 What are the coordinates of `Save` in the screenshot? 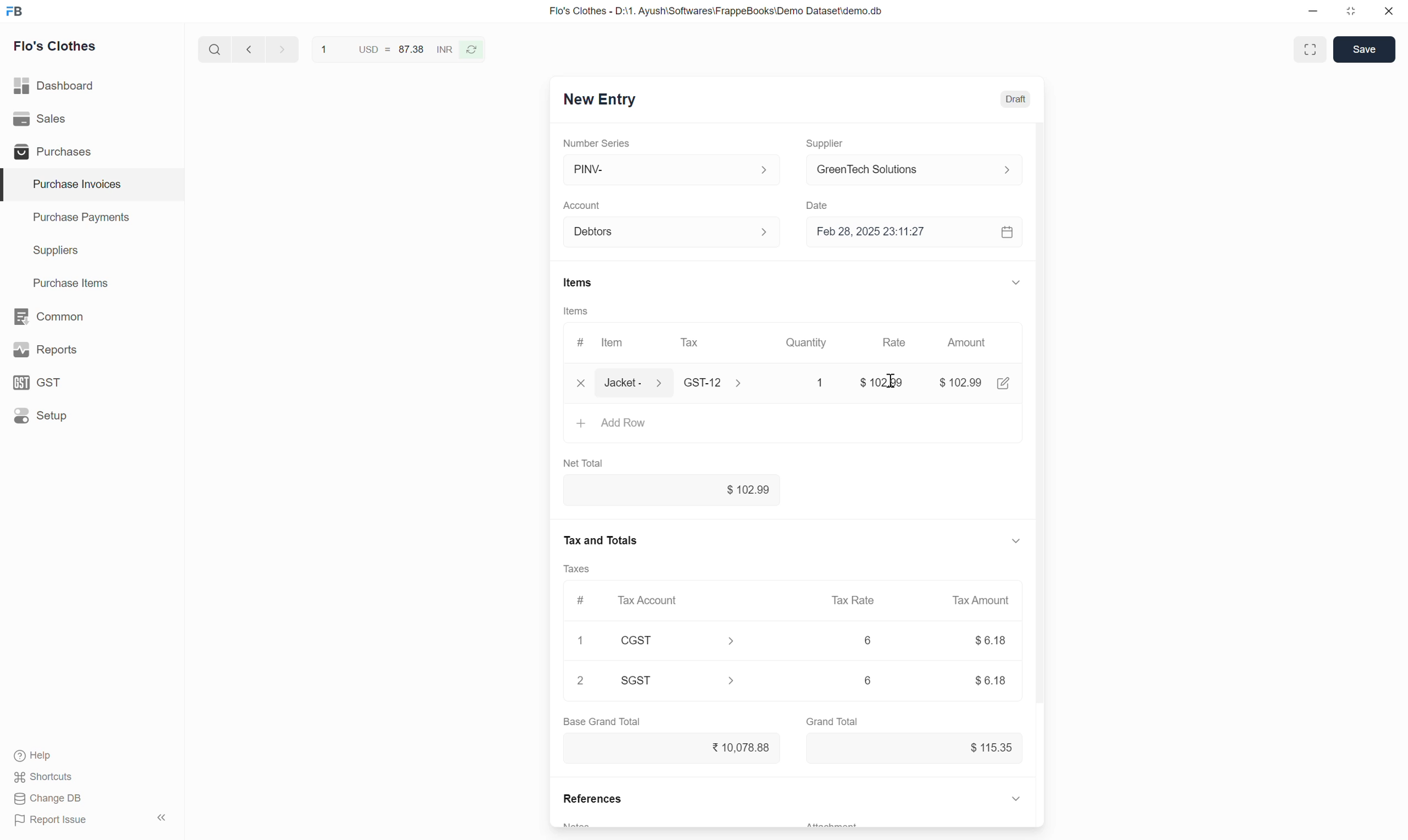 It's located at (1364, 49).